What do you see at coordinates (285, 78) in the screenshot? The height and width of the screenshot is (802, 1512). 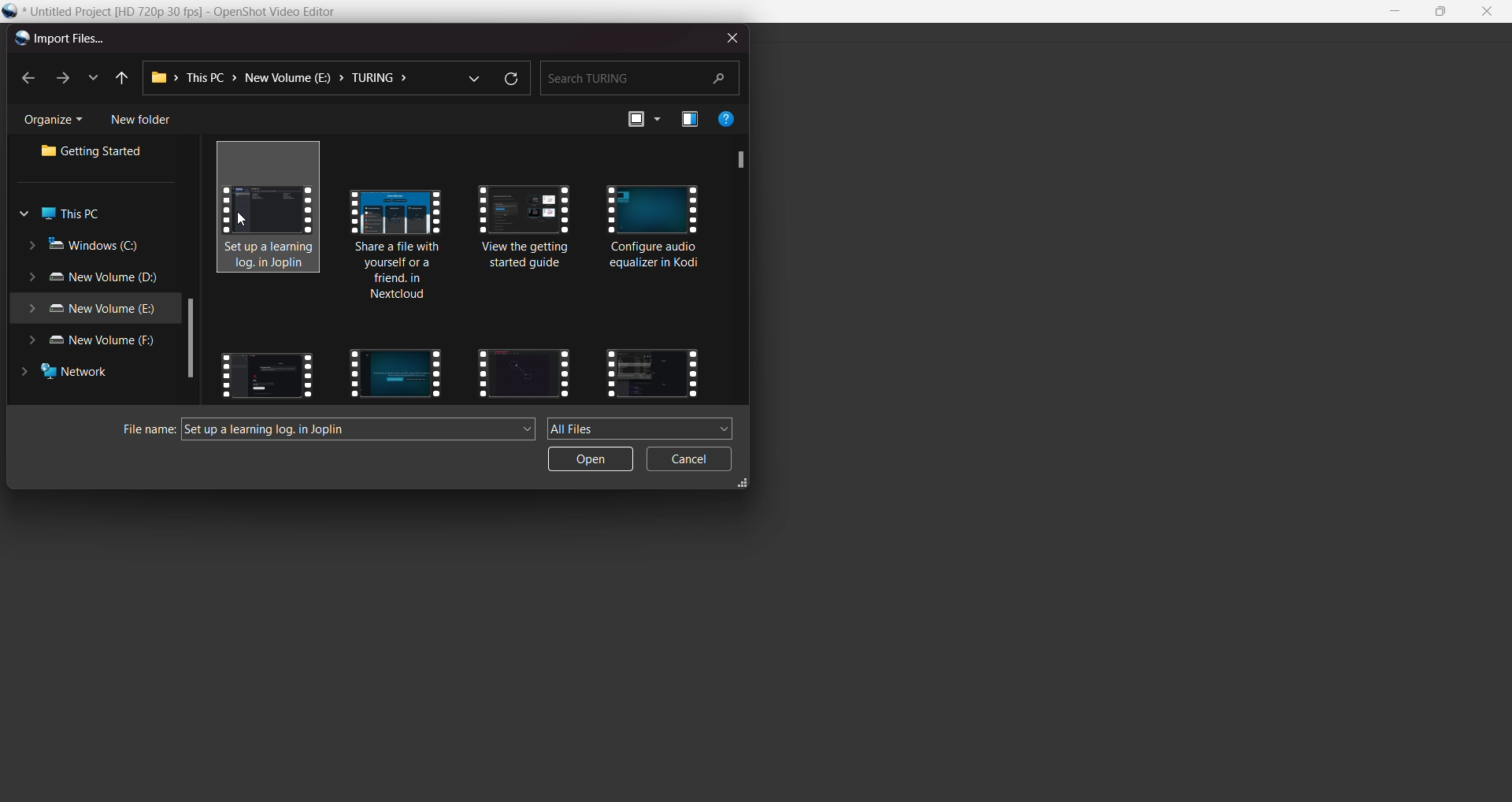 I see `path` at bounding box center [285, 78].